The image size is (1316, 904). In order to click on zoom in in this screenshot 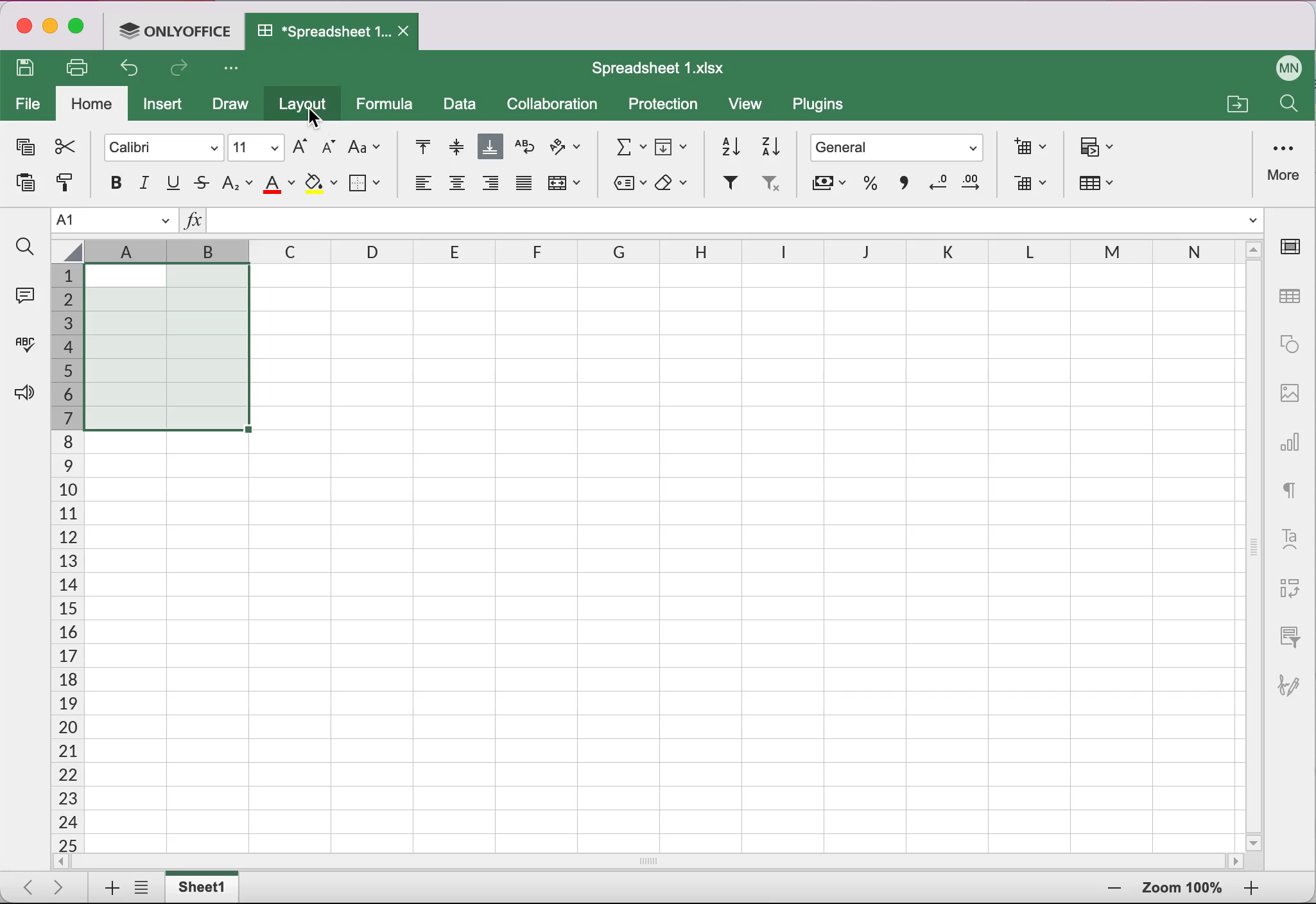, I will do `click(1111, 889)`.